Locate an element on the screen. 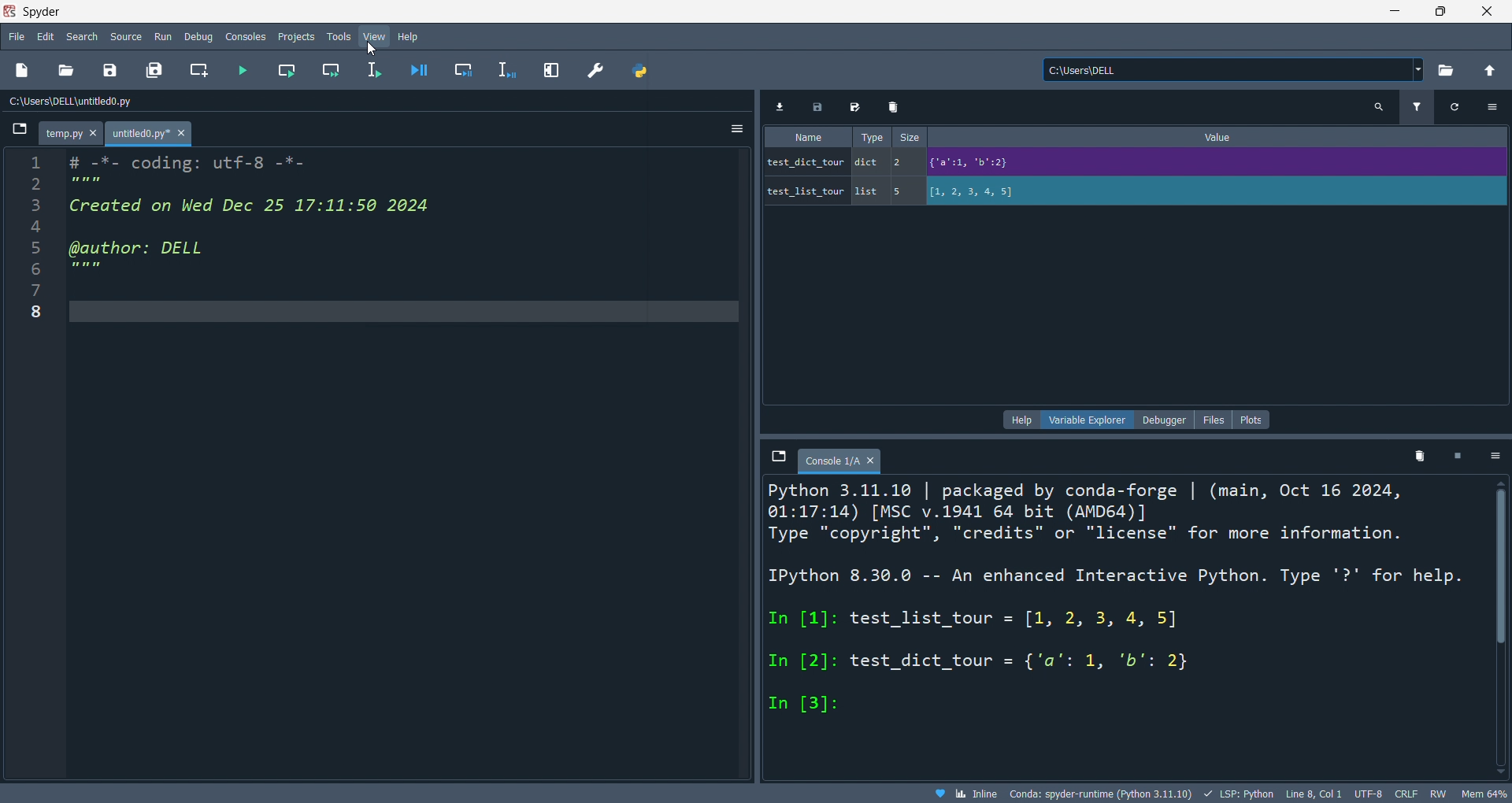 The height and width of the screenshot is (803, 1512). save is located at coordinates (821, 107).